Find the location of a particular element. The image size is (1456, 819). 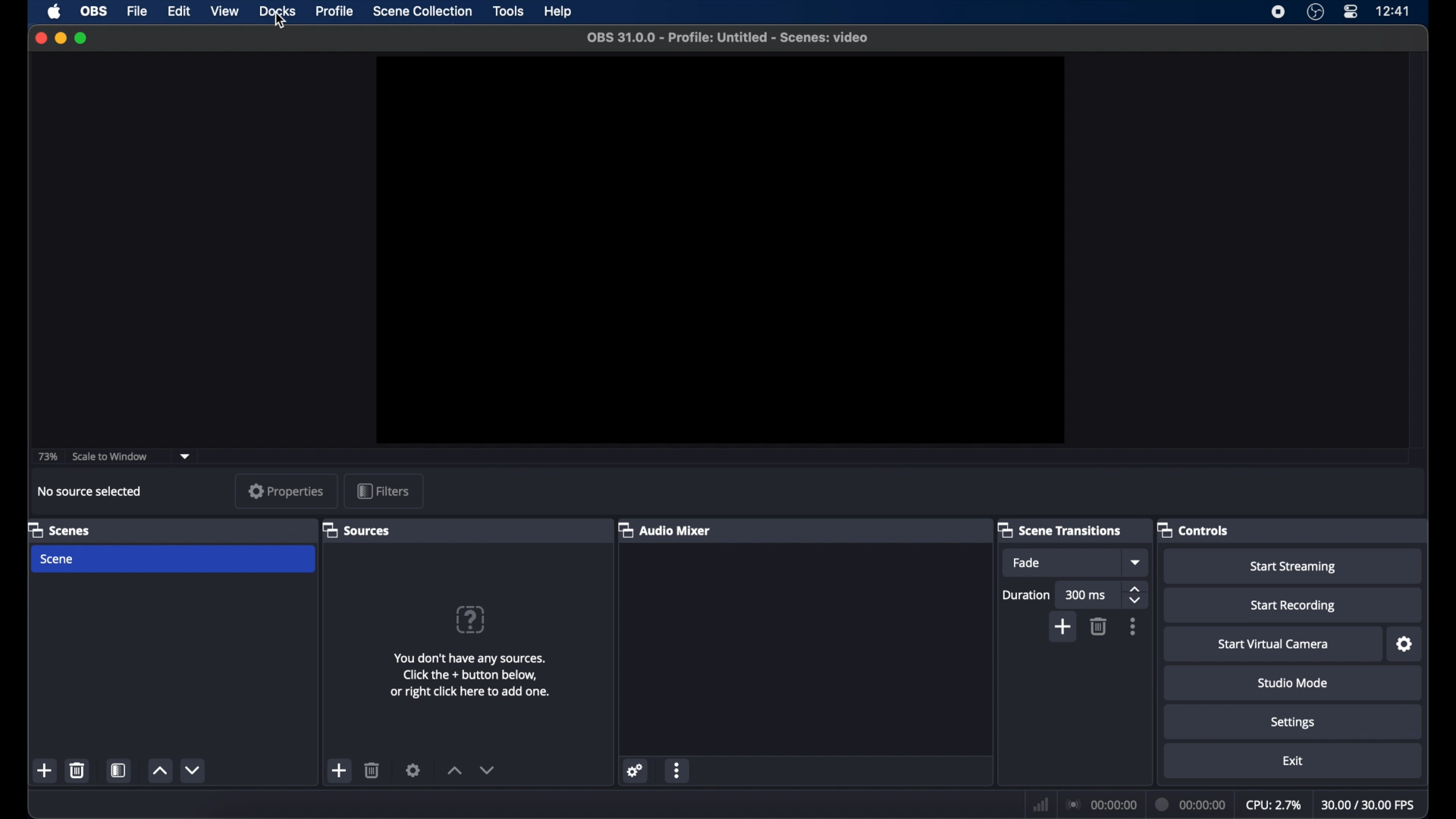

30.00/30.00 fps is located at coordinates (1371, 805).